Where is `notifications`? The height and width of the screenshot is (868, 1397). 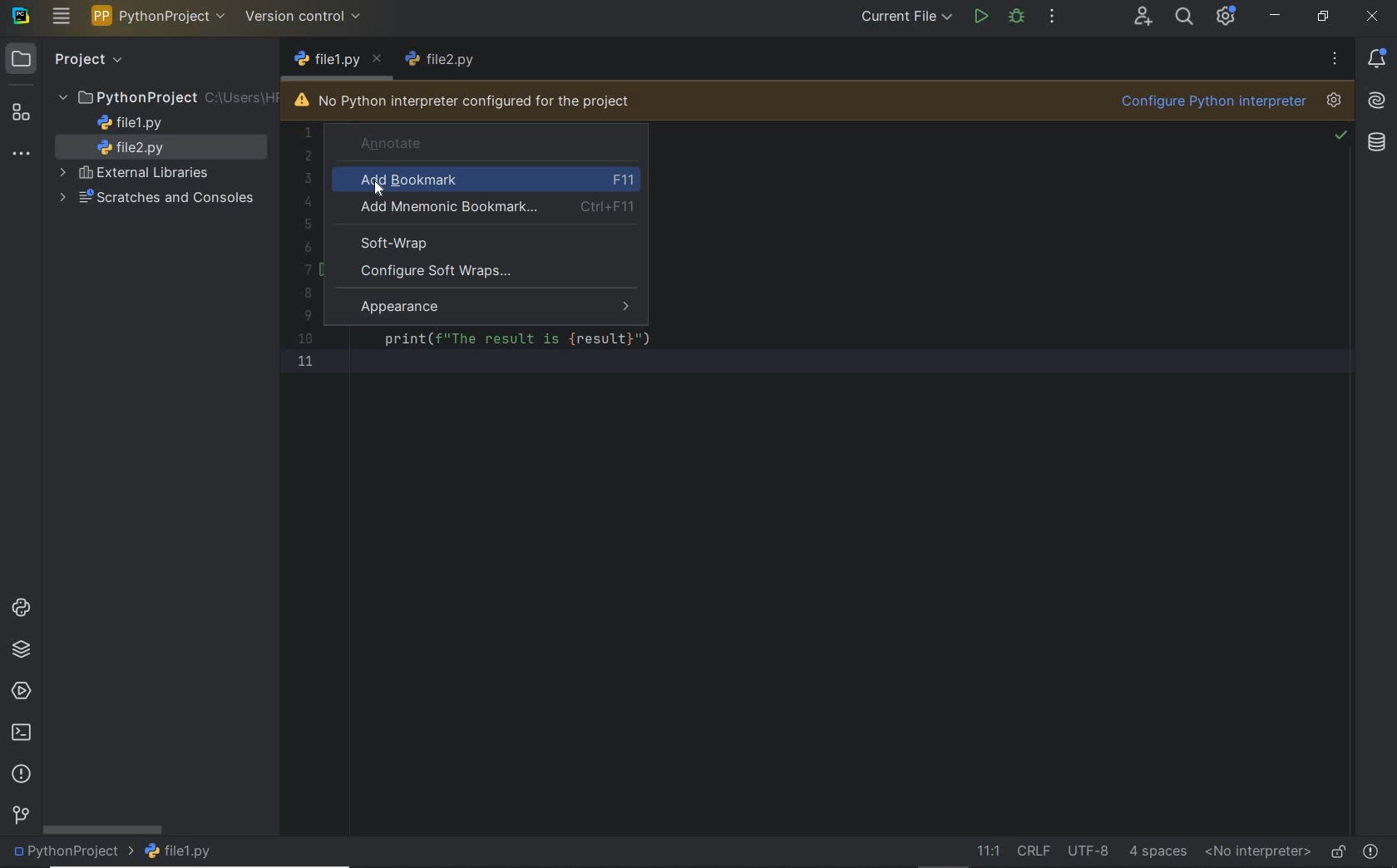
notifications is located at coordinates (1380, 58).